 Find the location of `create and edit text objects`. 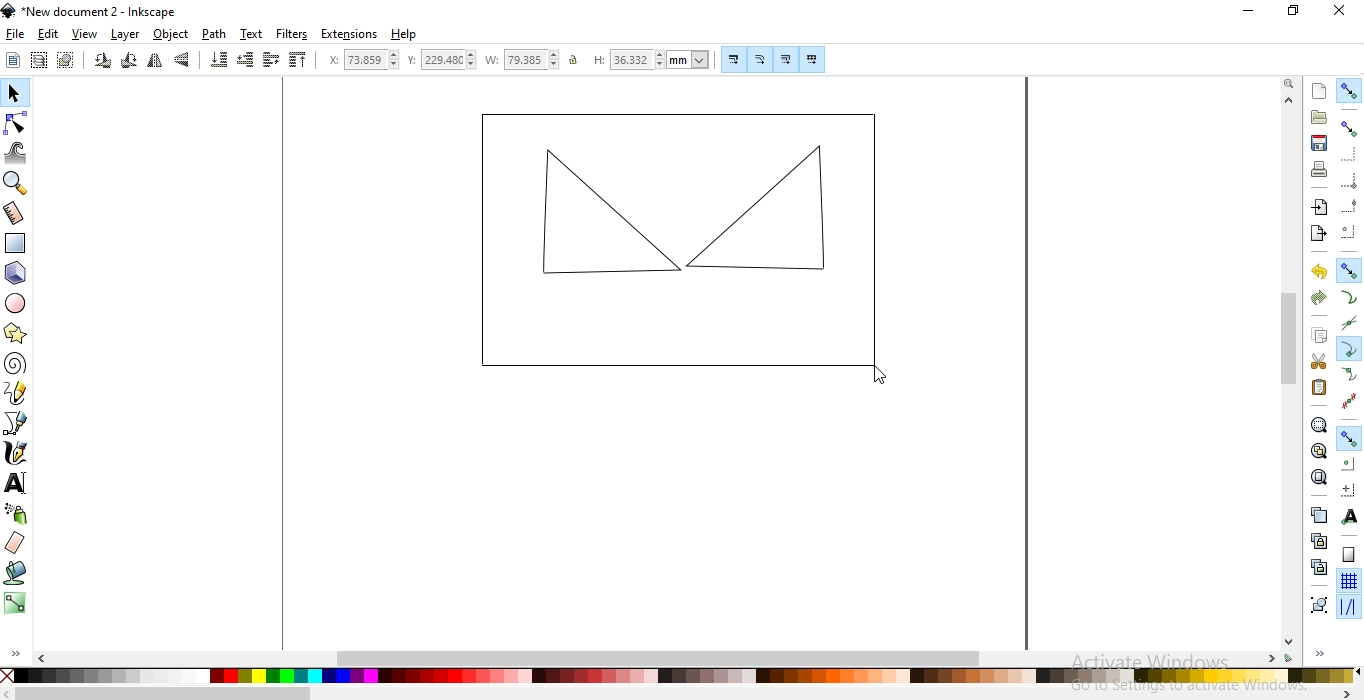

create and edit text objects is located at coordinates (18, 484).